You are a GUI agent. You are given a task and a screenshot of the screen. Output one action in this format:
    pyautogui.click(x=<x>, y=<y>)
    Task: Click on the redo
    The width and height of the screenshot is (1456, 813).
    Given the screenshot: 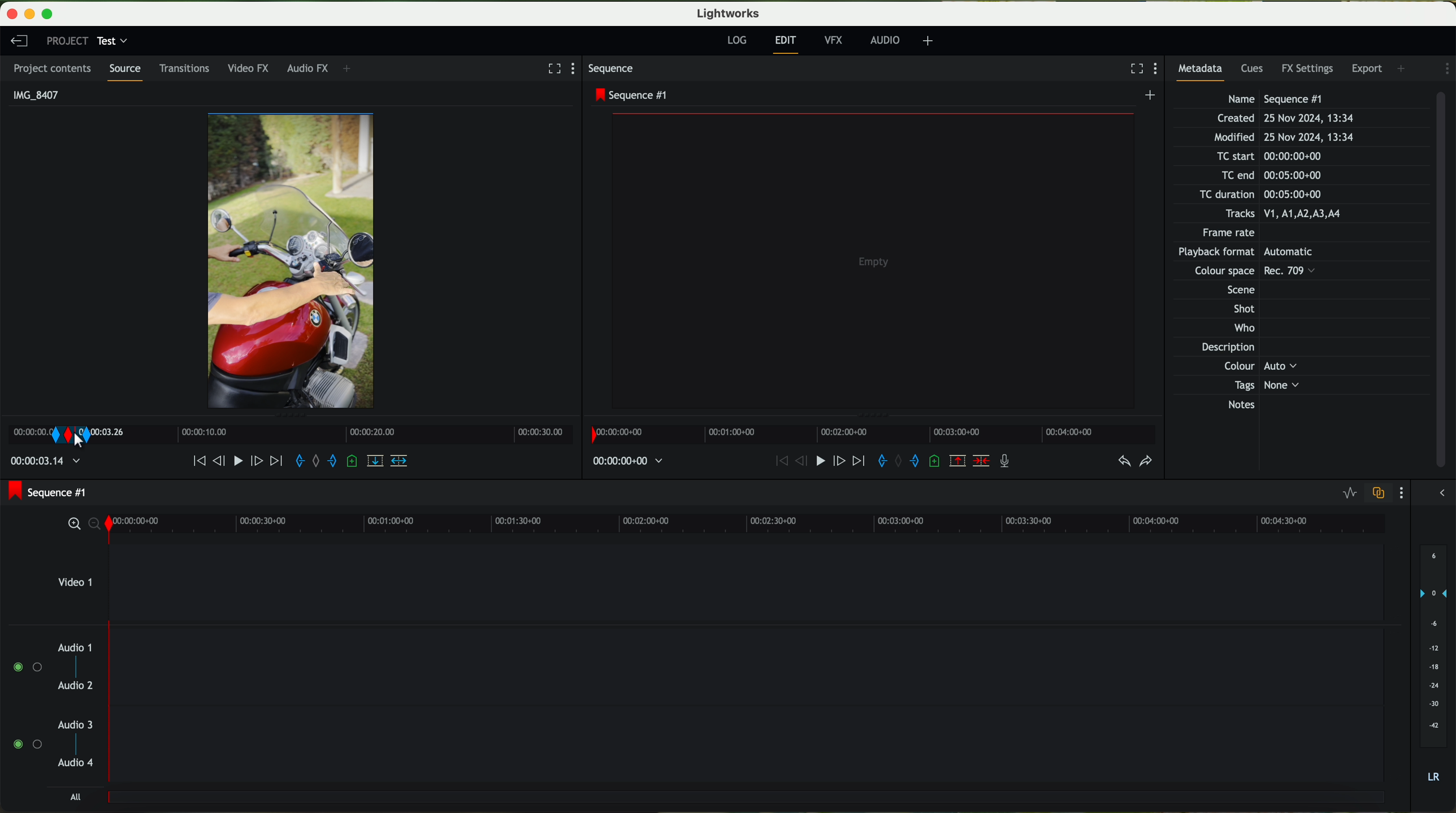 What is the action you would take?
    pyautogui.click(x=1146, y=462)
    